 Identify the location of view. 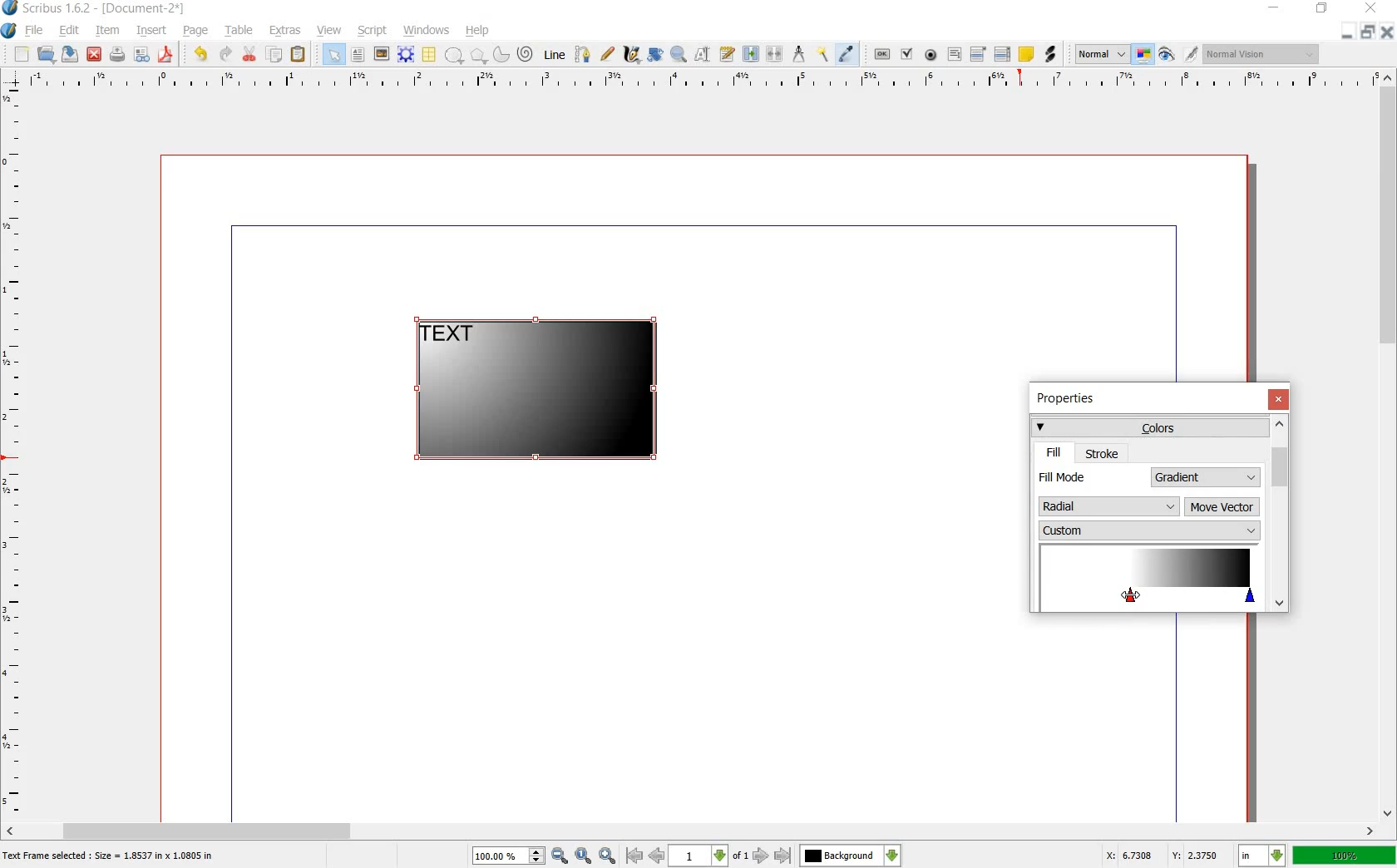
(330, 31).